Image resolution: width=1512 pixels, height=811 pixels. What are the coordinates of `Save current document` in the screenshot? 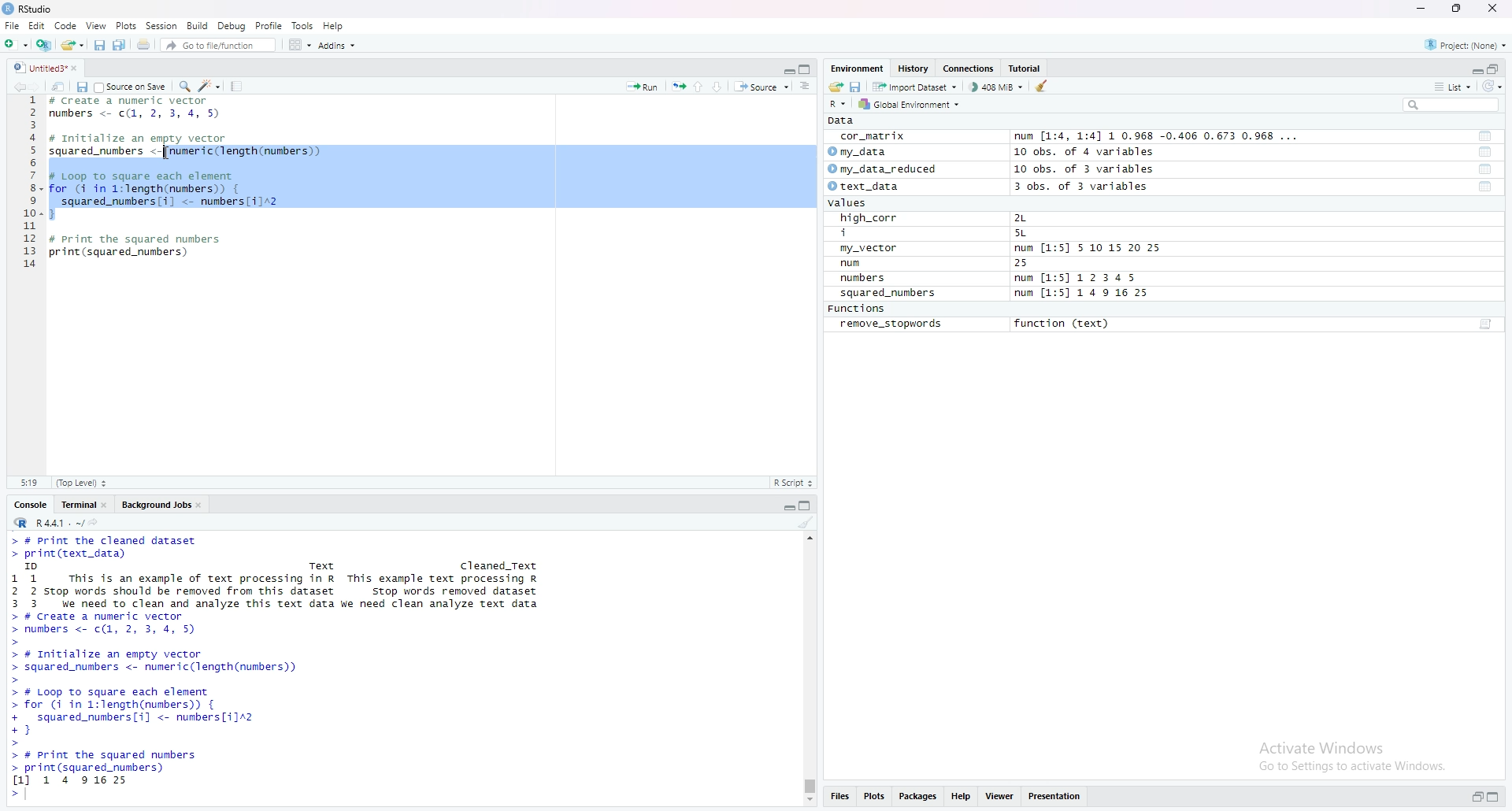 It's located at (99, 43).